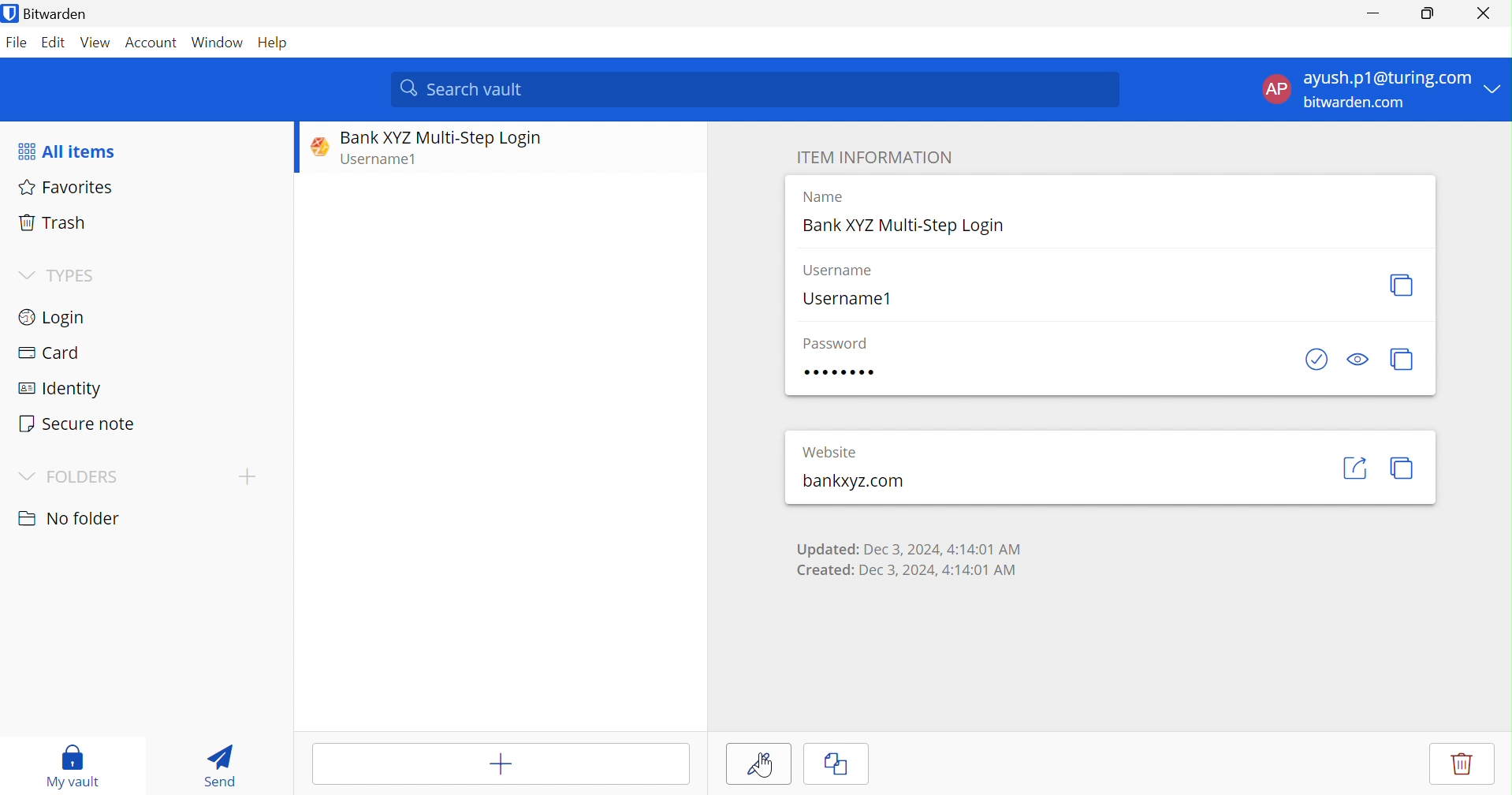 The image size is (1512, 795). What do you see at coordinates (1357, 468) in the screenshot?
I see `Launch` at bounding box center [1357, 468].